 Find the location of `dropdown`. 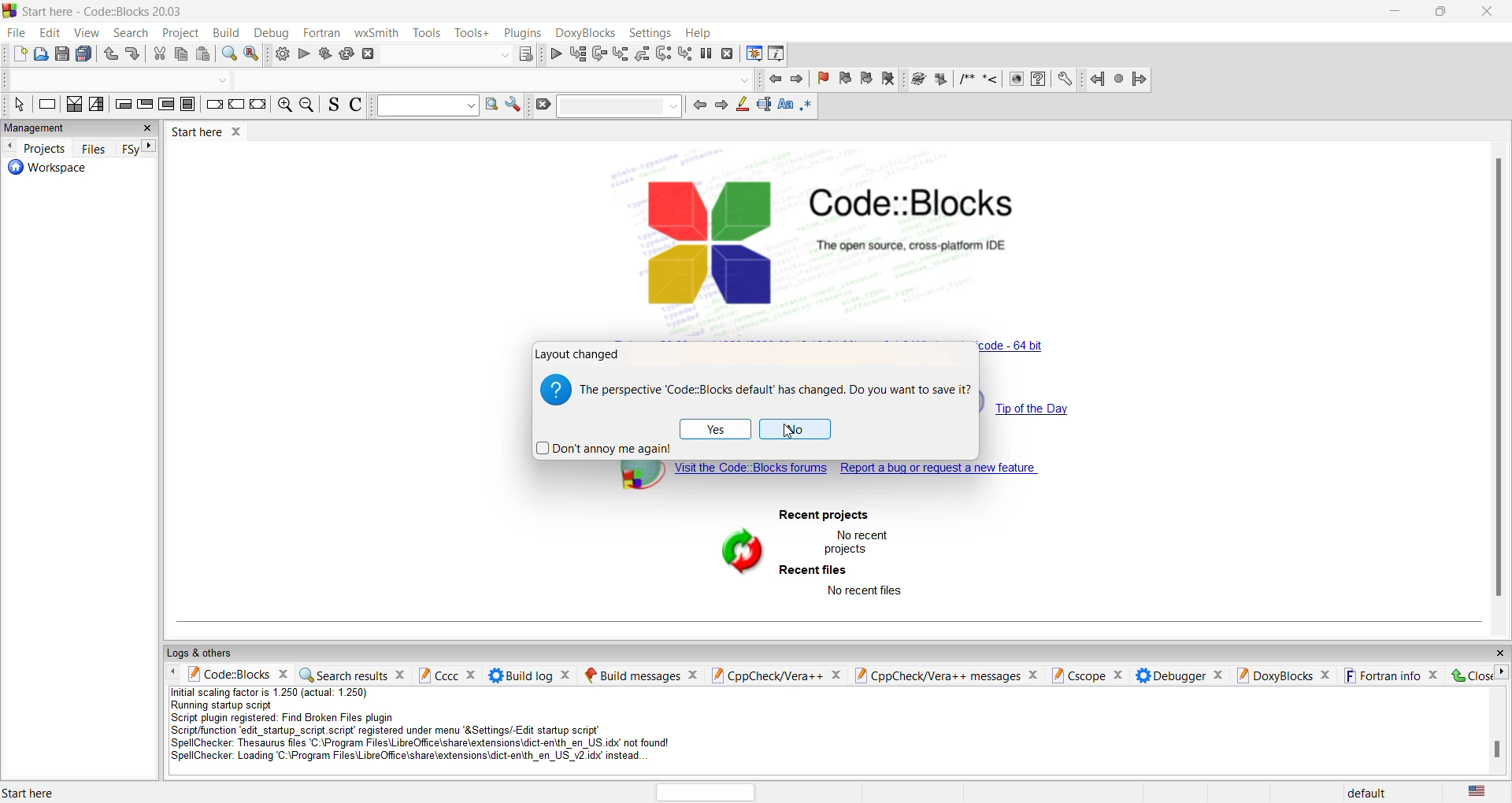

dropdown is located at coordinates (428, 105).